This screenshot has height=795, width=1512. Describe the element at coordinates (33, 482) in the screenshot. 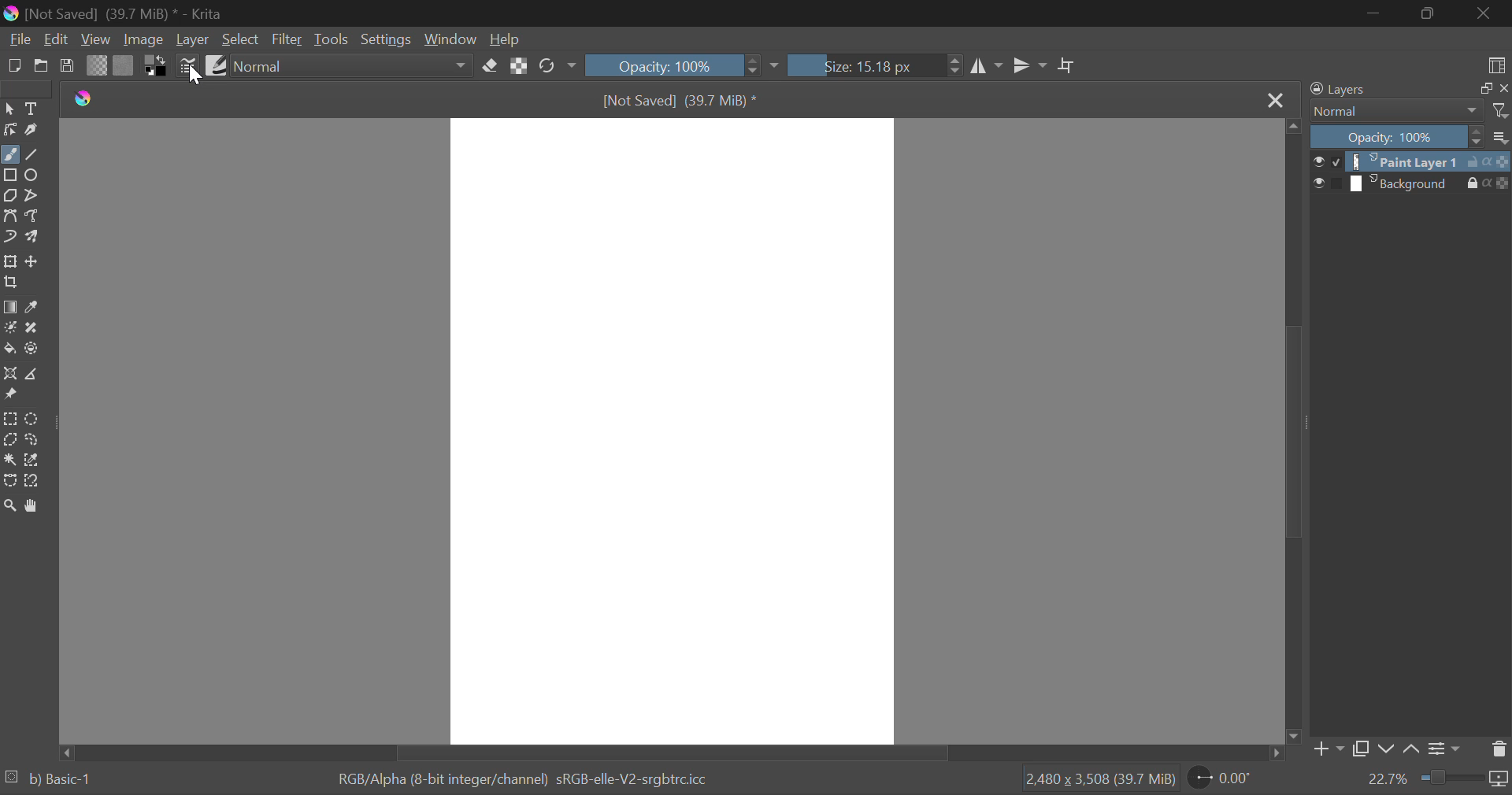

I see `Magnetic Selection` at that location.